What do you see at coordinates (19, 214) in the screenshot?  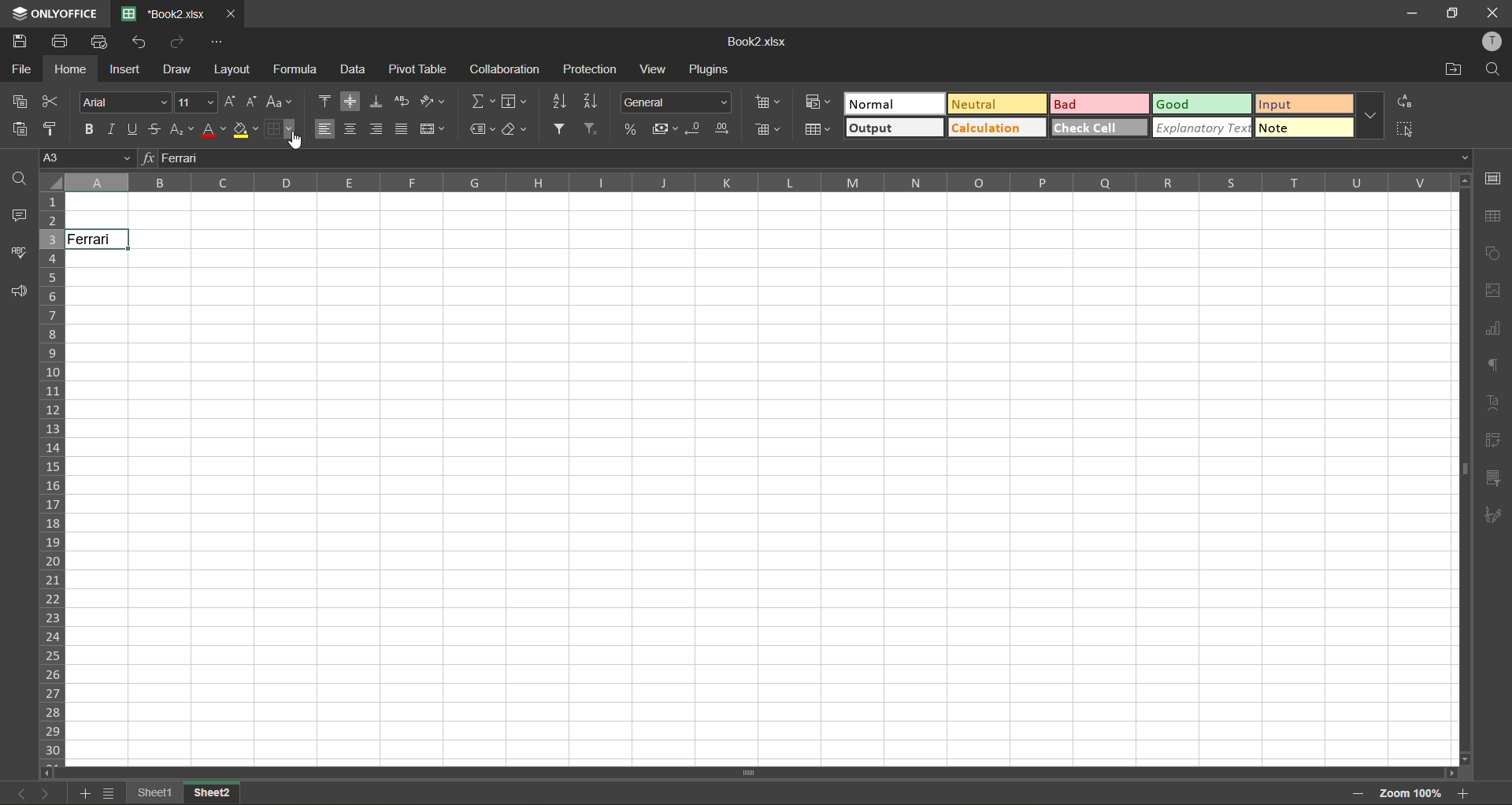 I see `comments` at bounding box center [19, 214].